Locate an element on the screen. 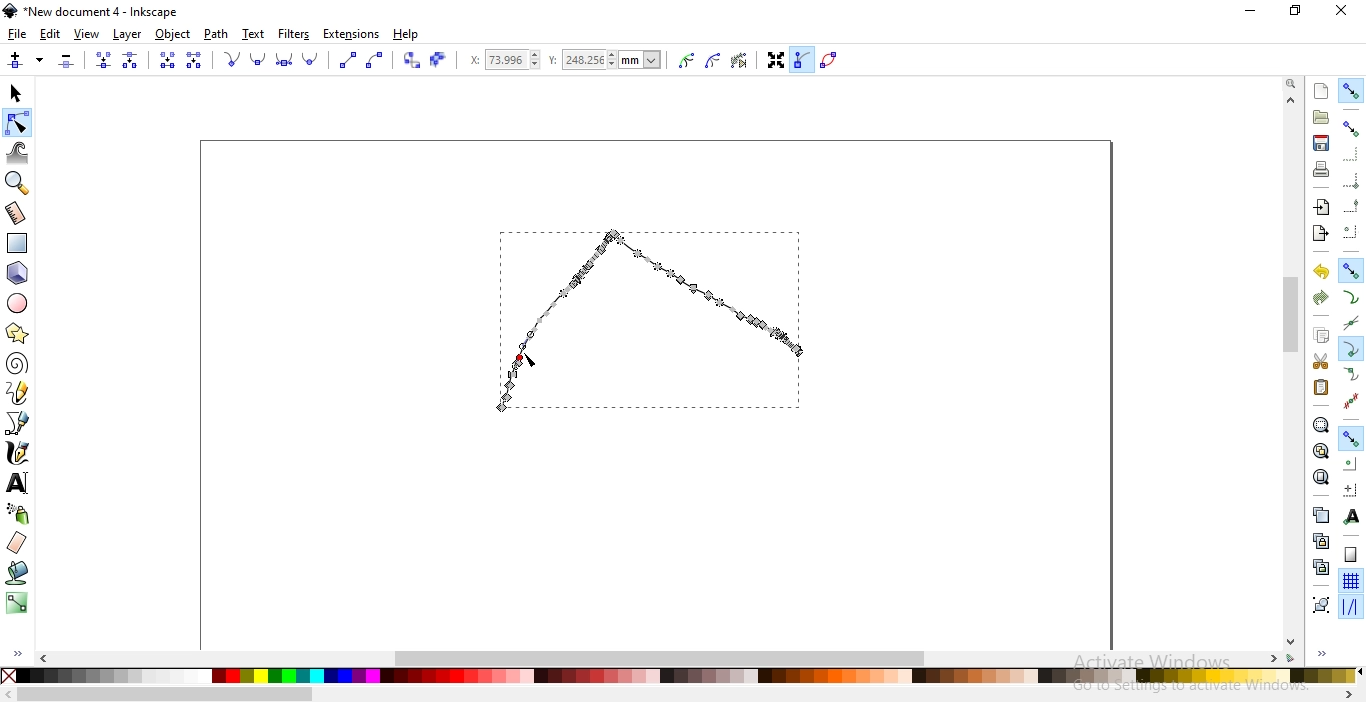 Image resolution: width=1366 pixels, height=702 pixels. snap midpoints of line segments is located at coordinates (1352, 400).